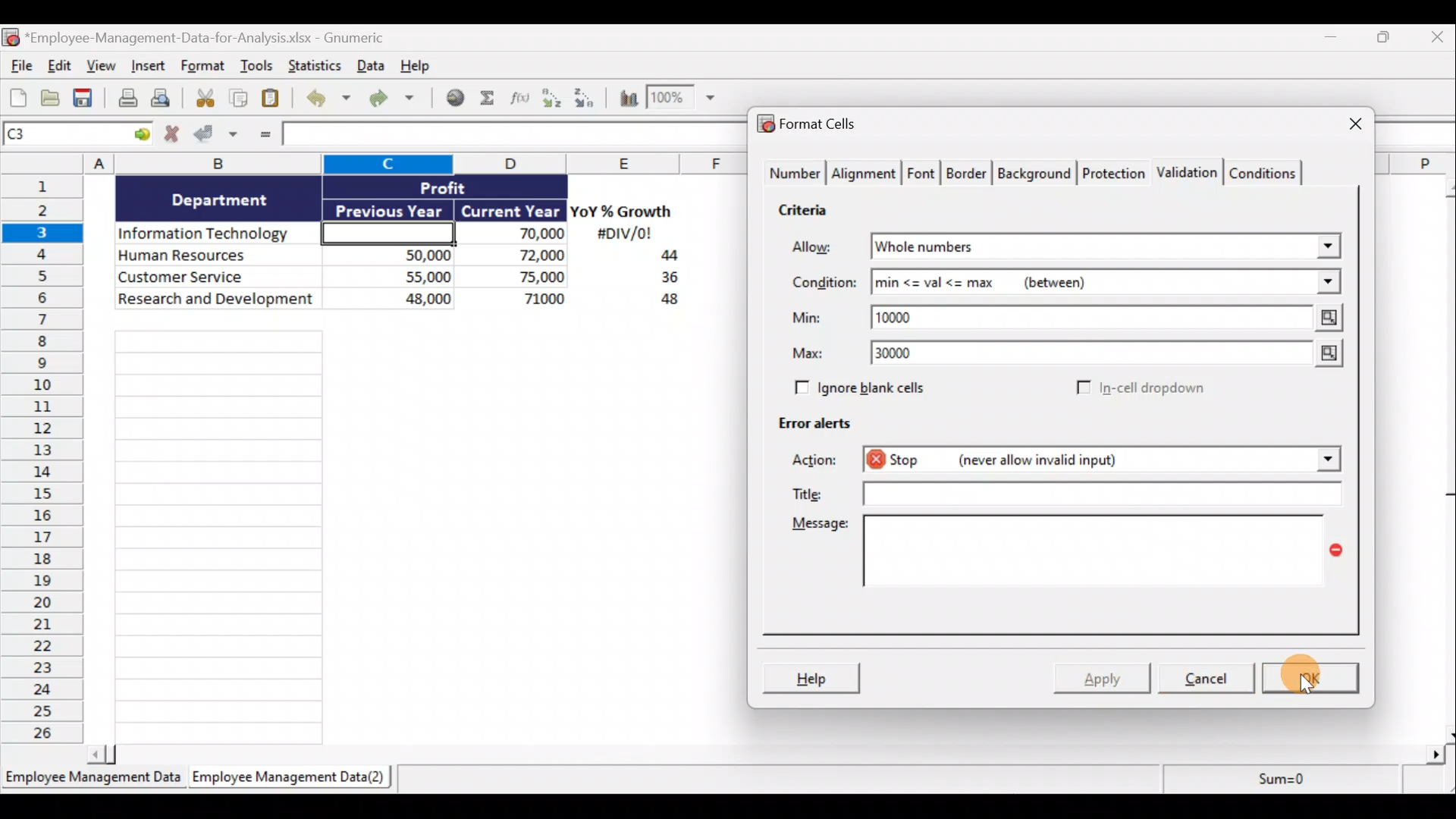  What do you see at coordinates (1341, 125) in the screenshot?
I see `Close` at bounding box center [1341, 125].